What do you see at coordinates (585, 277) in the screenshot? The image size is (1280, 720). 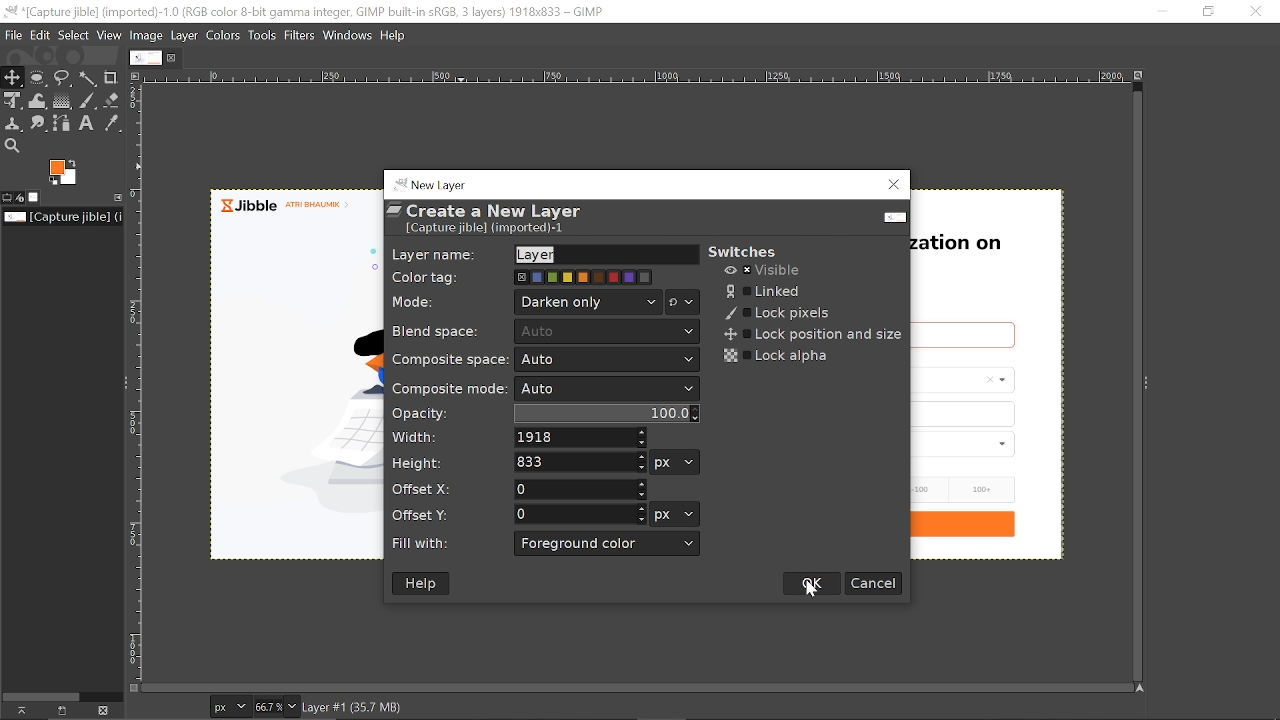 I see `Color tags` at bounding box center [585, 277].